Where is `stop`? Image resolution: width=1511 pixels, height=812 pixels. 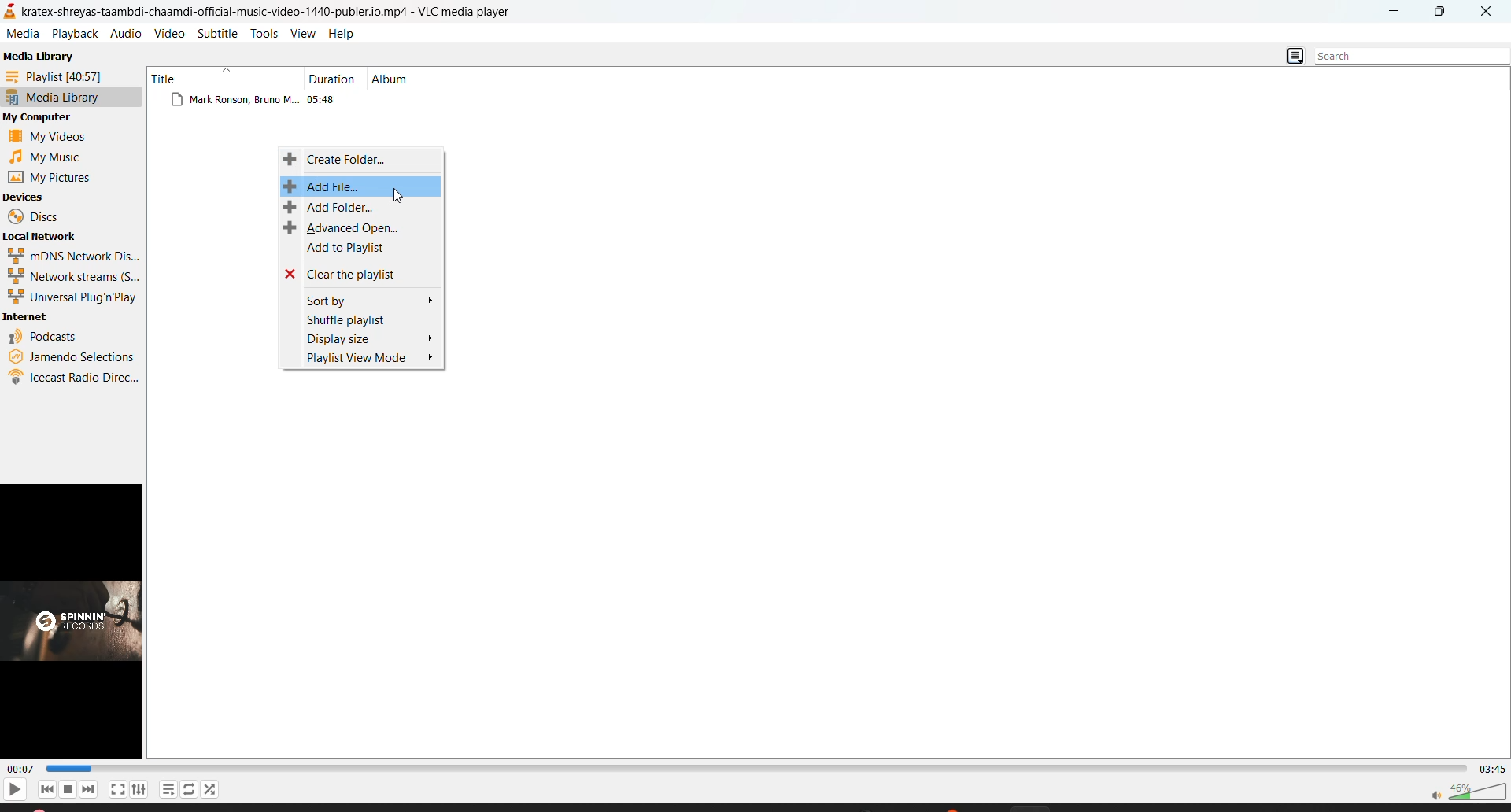 stop is located at coordinates (68, 789).